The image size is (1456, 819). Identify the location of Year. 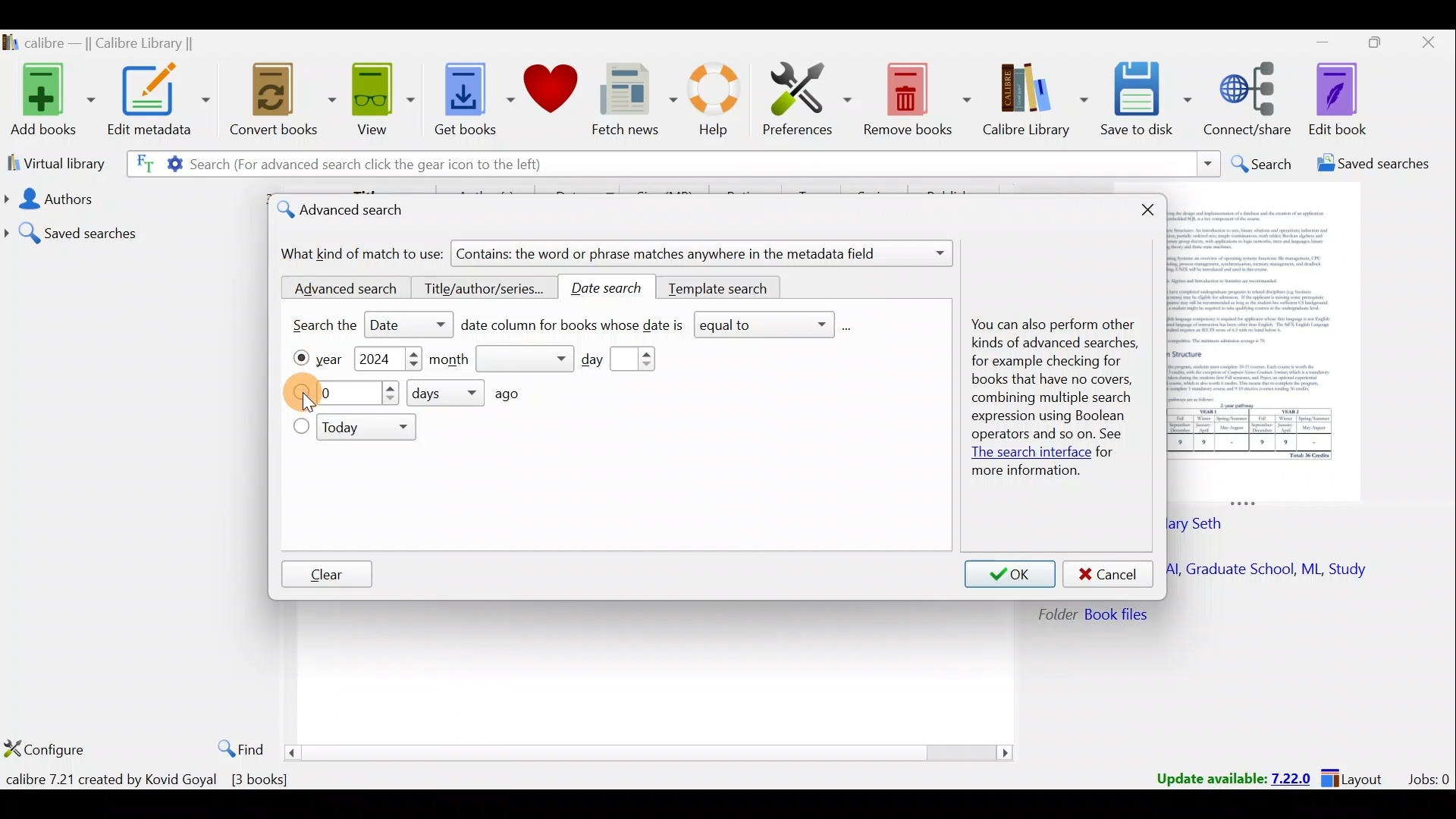
(335, 359).